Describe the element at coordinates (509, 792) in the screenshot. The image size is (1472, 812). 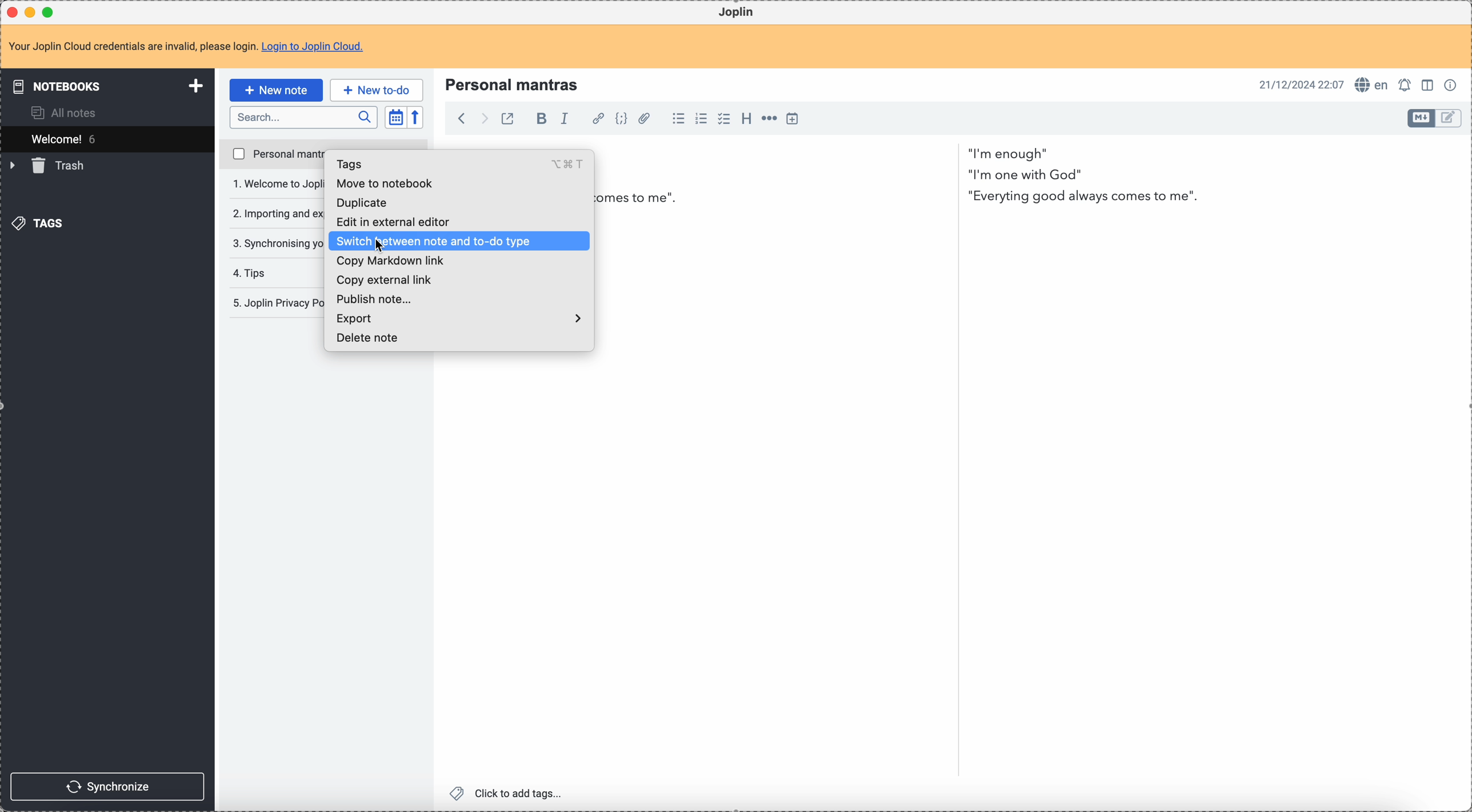
I see `click to add tags` at that location.